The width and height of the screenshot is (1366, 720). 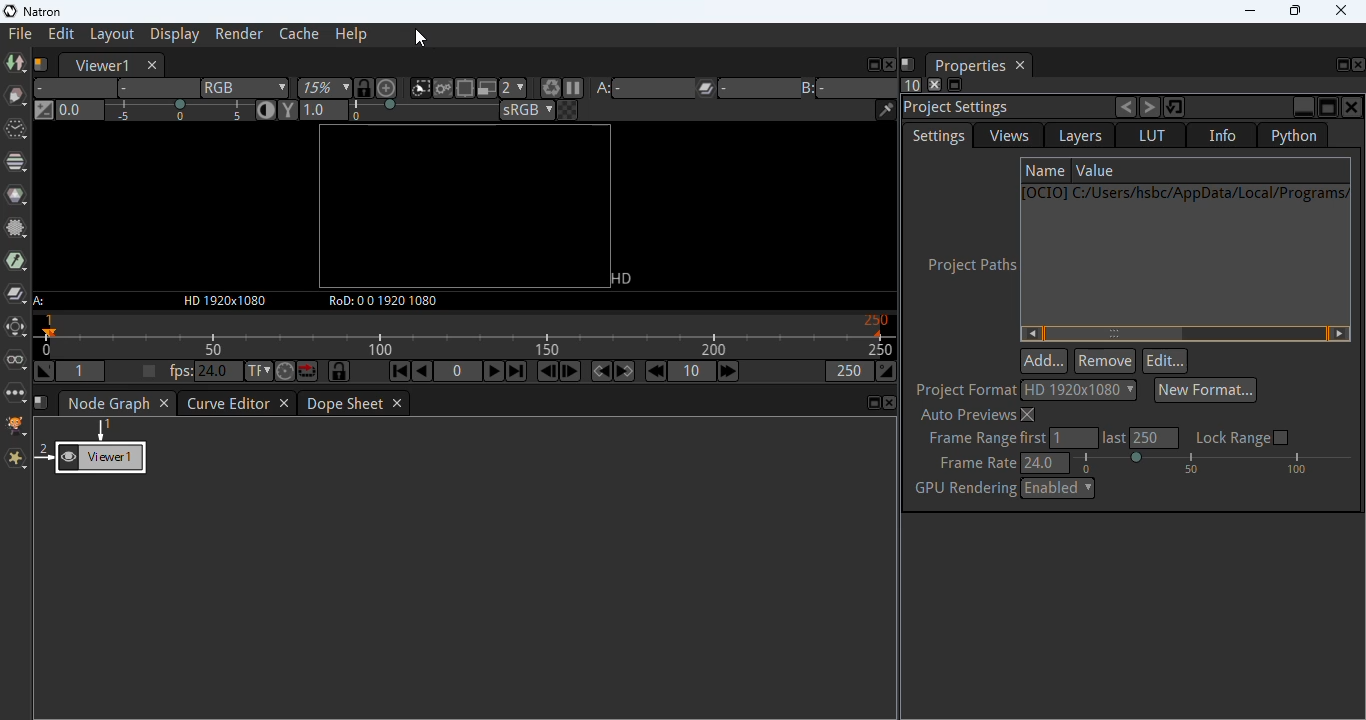 I want to click on last, so click(x=1115, y=439).